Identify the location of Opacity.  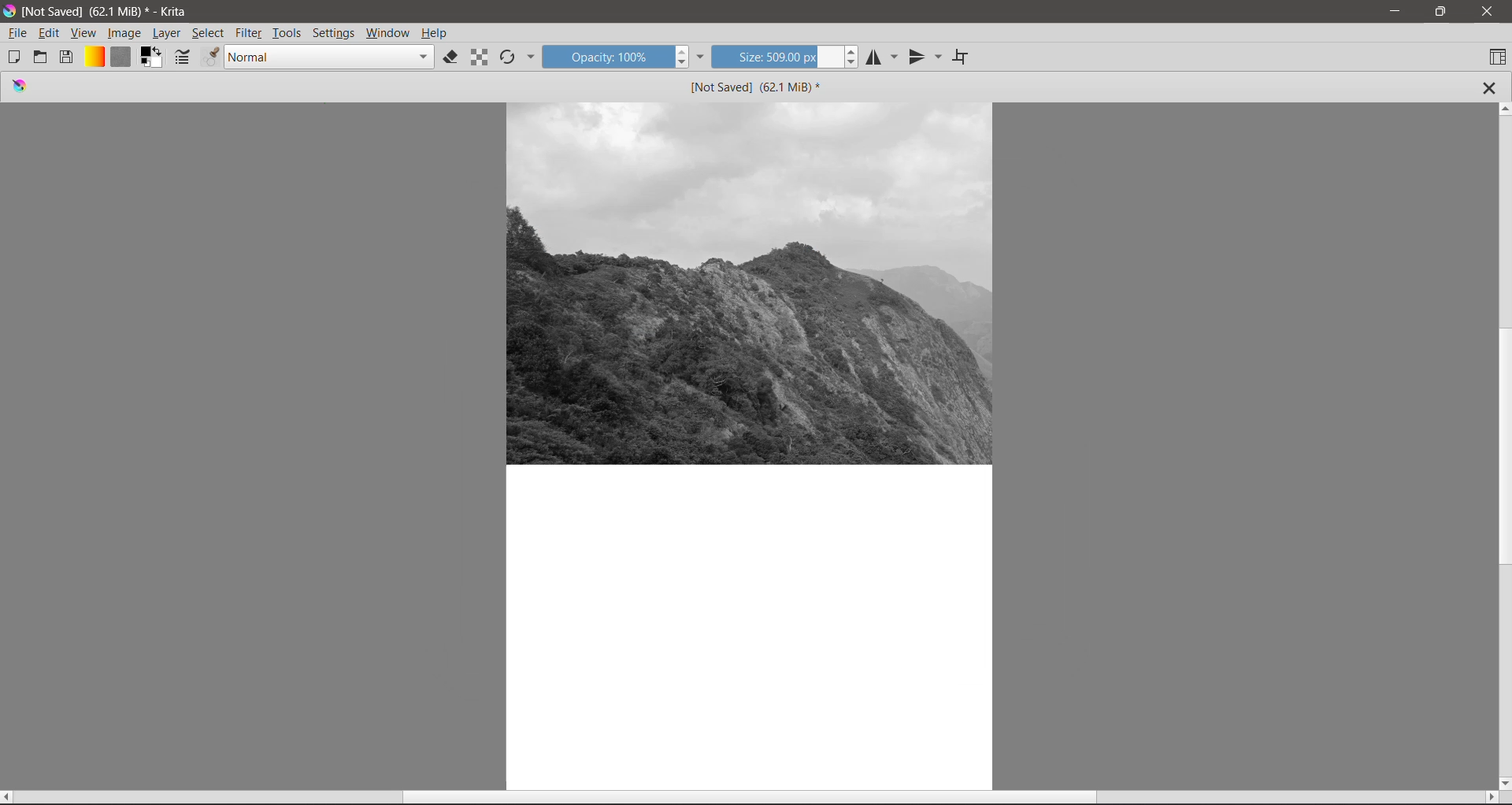
(606, 58).